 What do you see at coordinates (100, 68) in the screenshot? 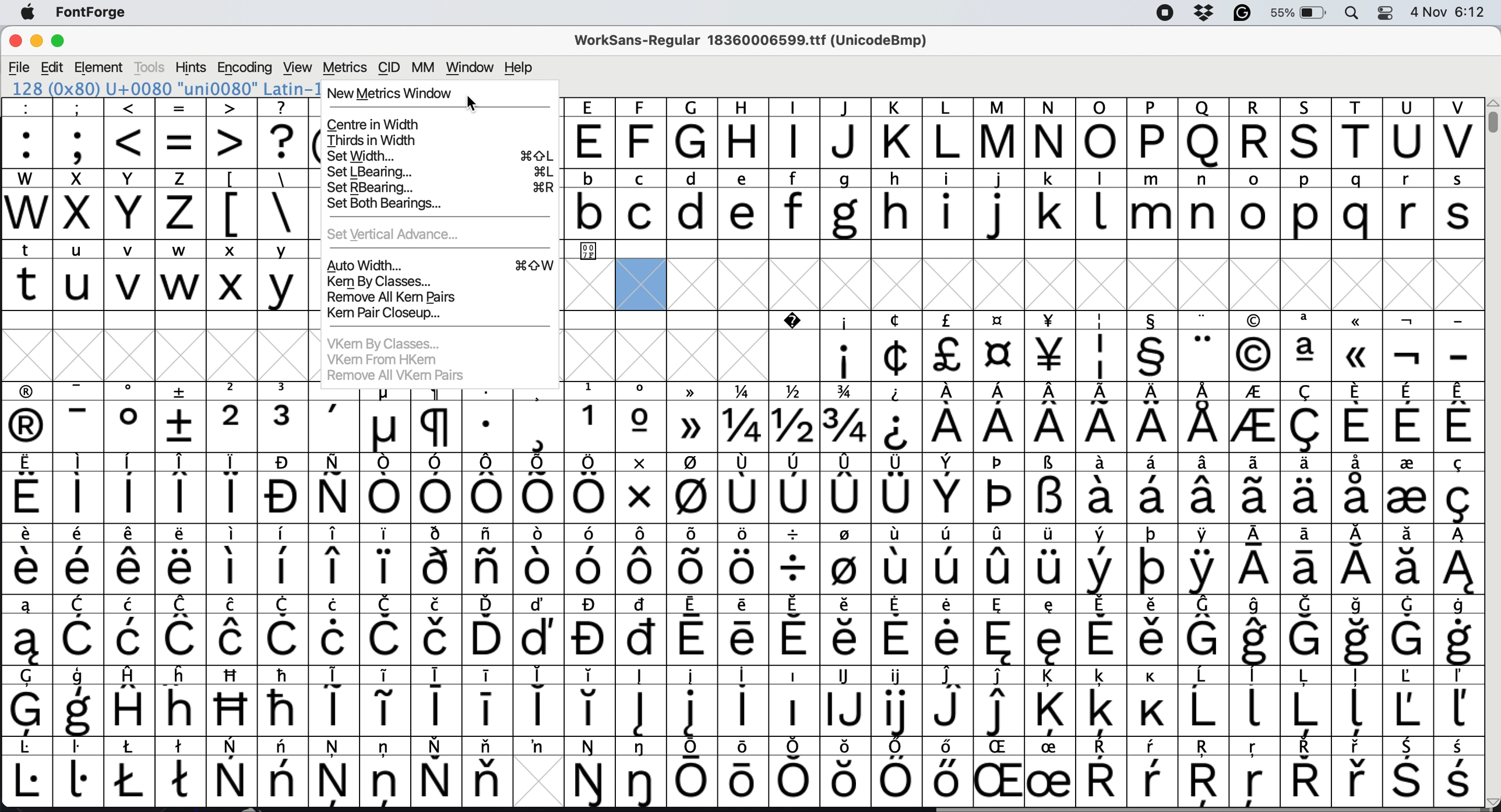
I see `Element` at bounding box center [100, 68].